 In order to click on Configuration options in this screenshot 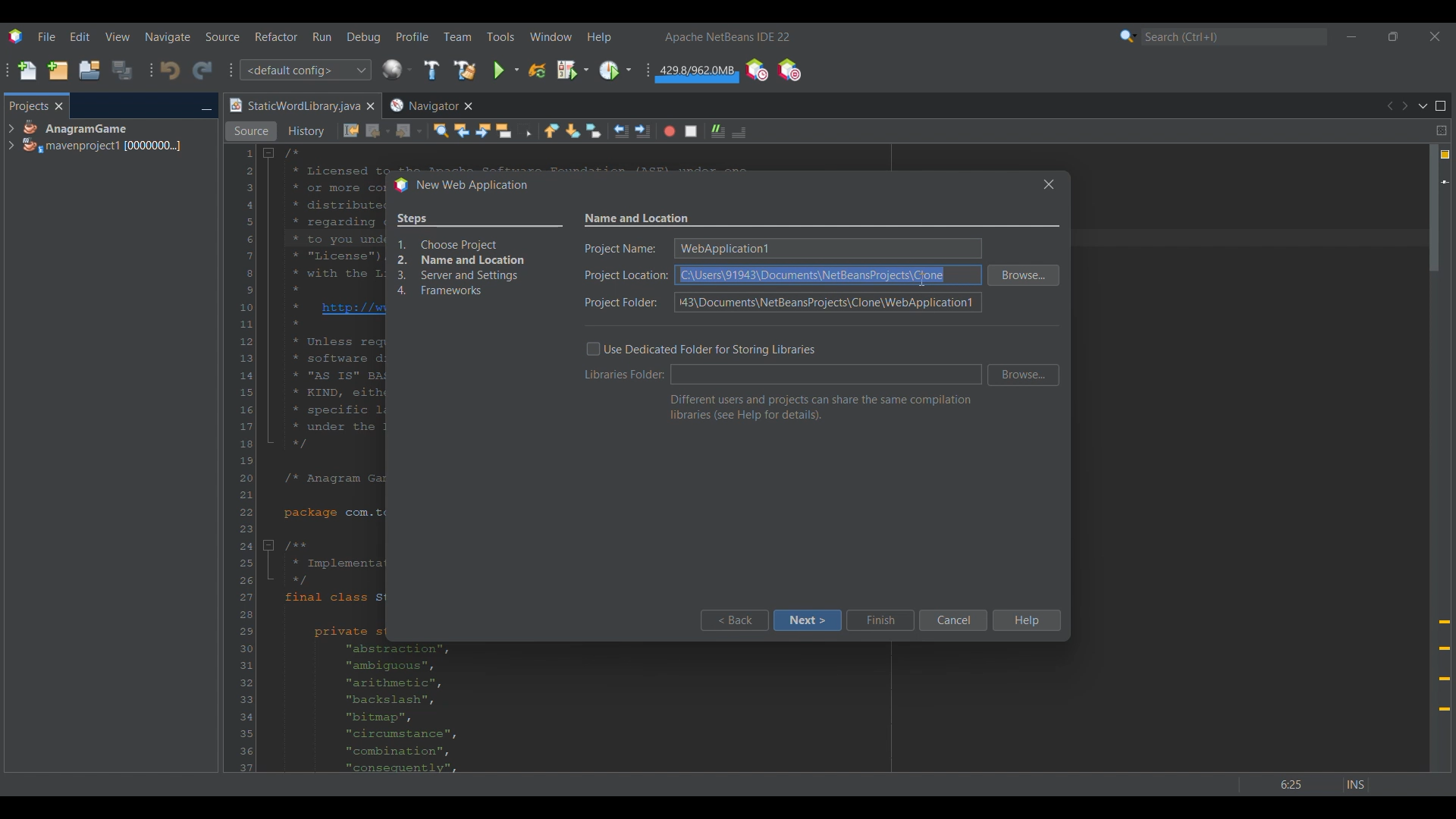, I will do `click(305, 70)`.